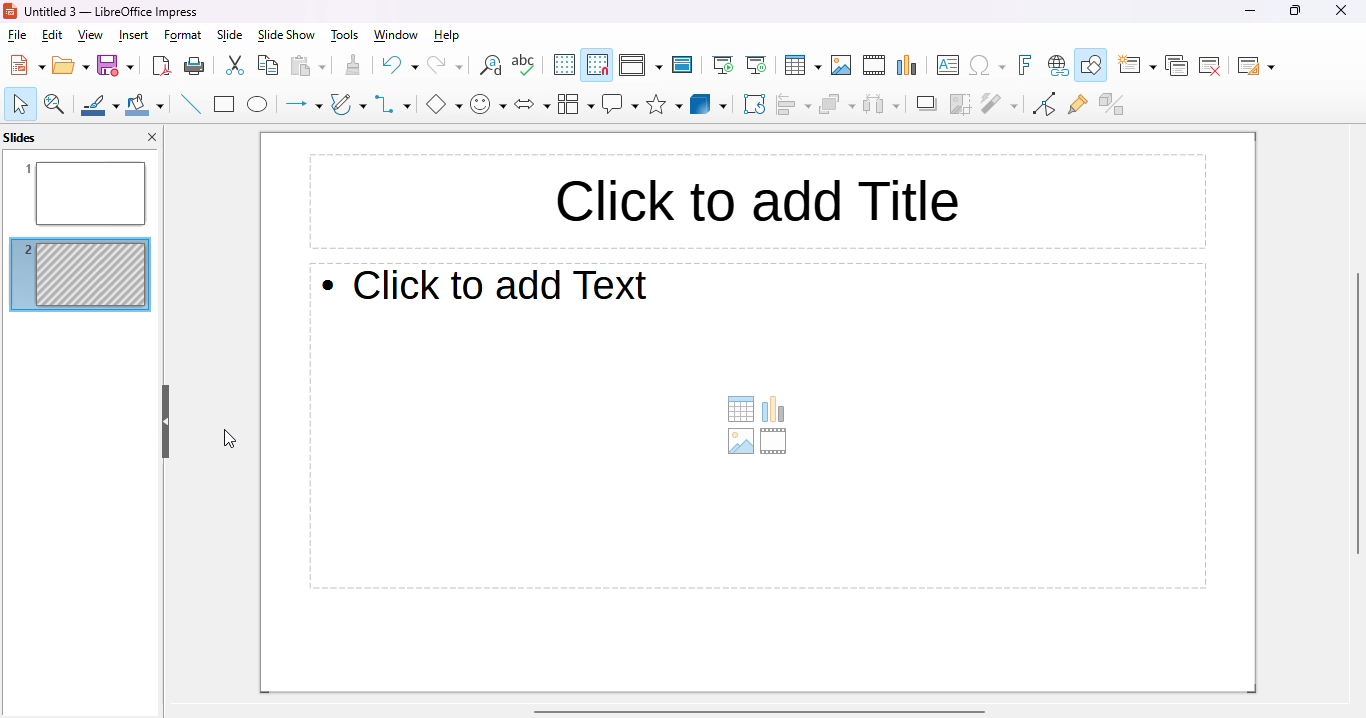 The image size is (1366, 718). I want to click on display grid, so click(564, 65).